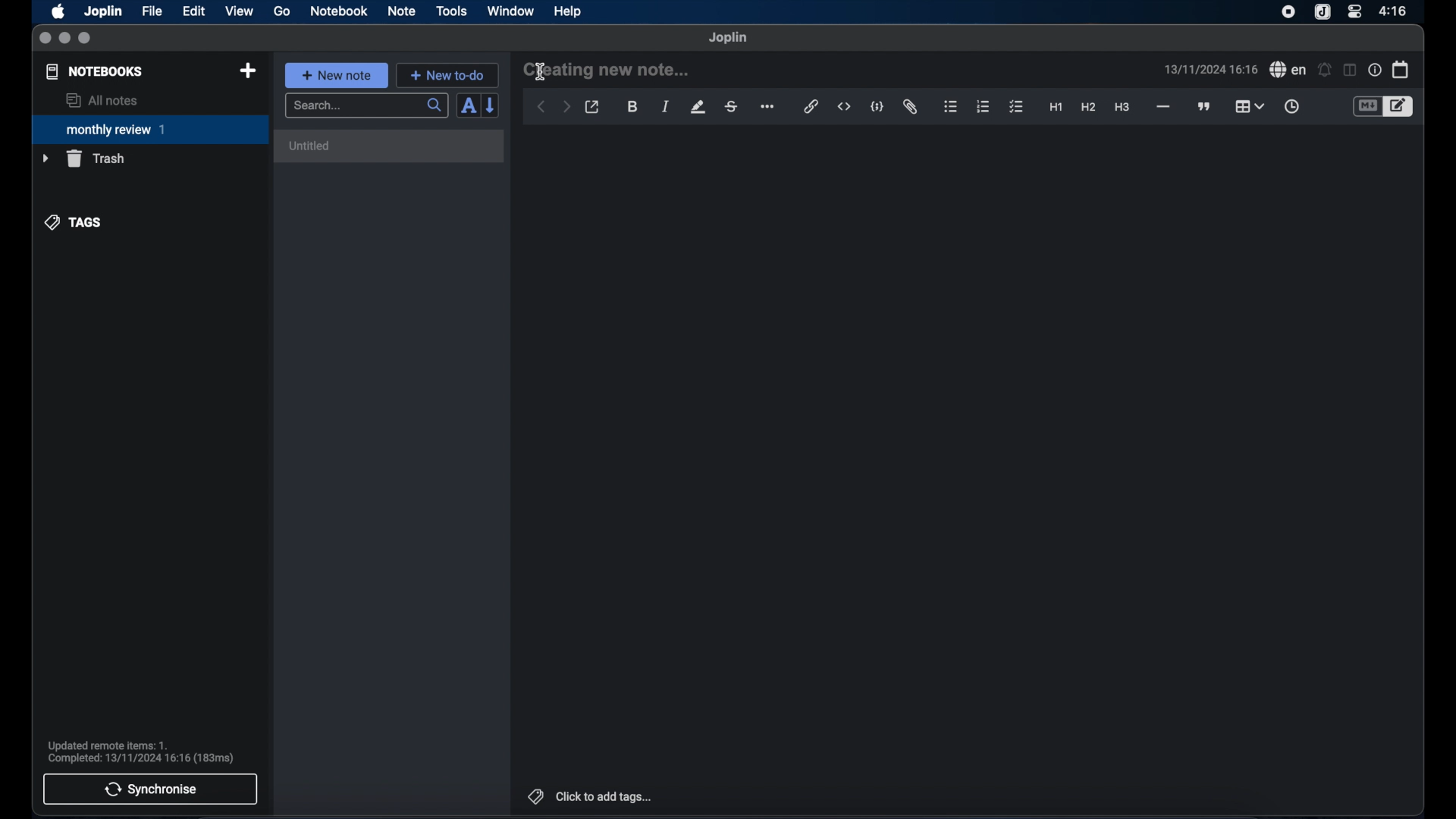 The height and width of the screenshot is (819, 1456). What do you see at coordinates (877, 108) in the screenshot?
I see `code` at bounding box center [877, 108].